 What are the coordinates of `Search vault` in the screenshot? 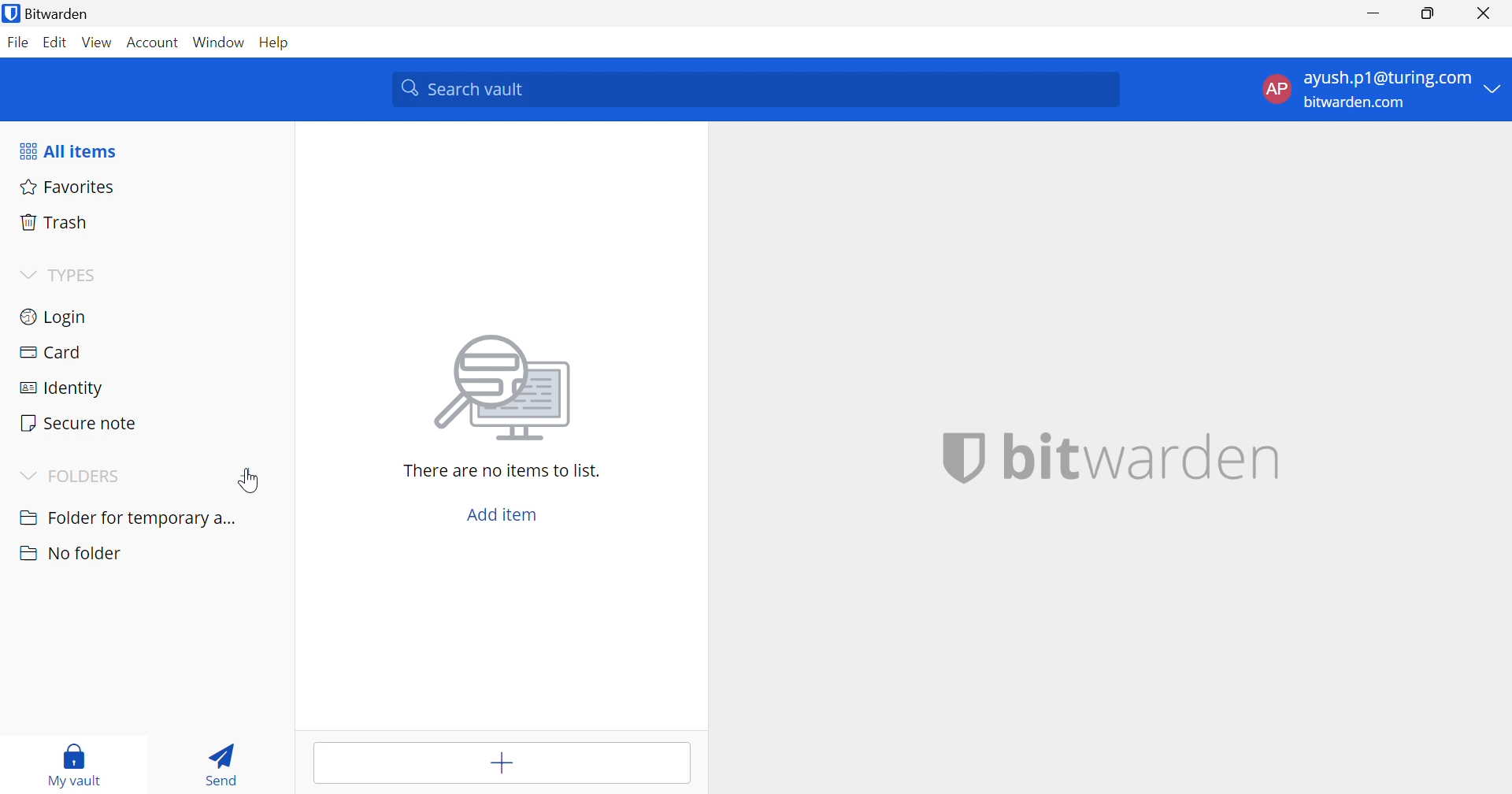 It's located at (752, 89).